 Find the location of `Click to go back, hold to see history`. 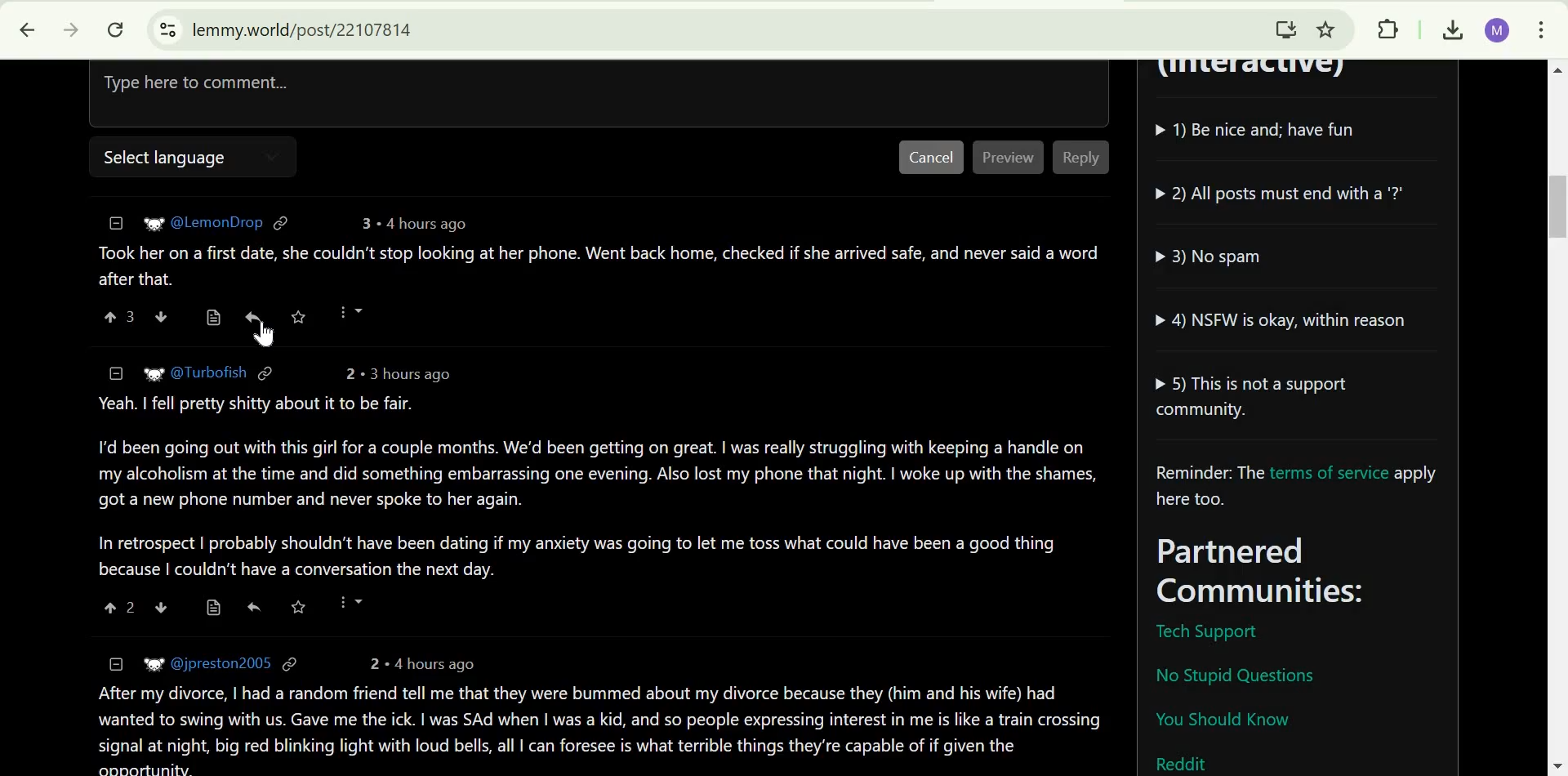

Click to go back, hold to see history is located at coordinates (19, 30).